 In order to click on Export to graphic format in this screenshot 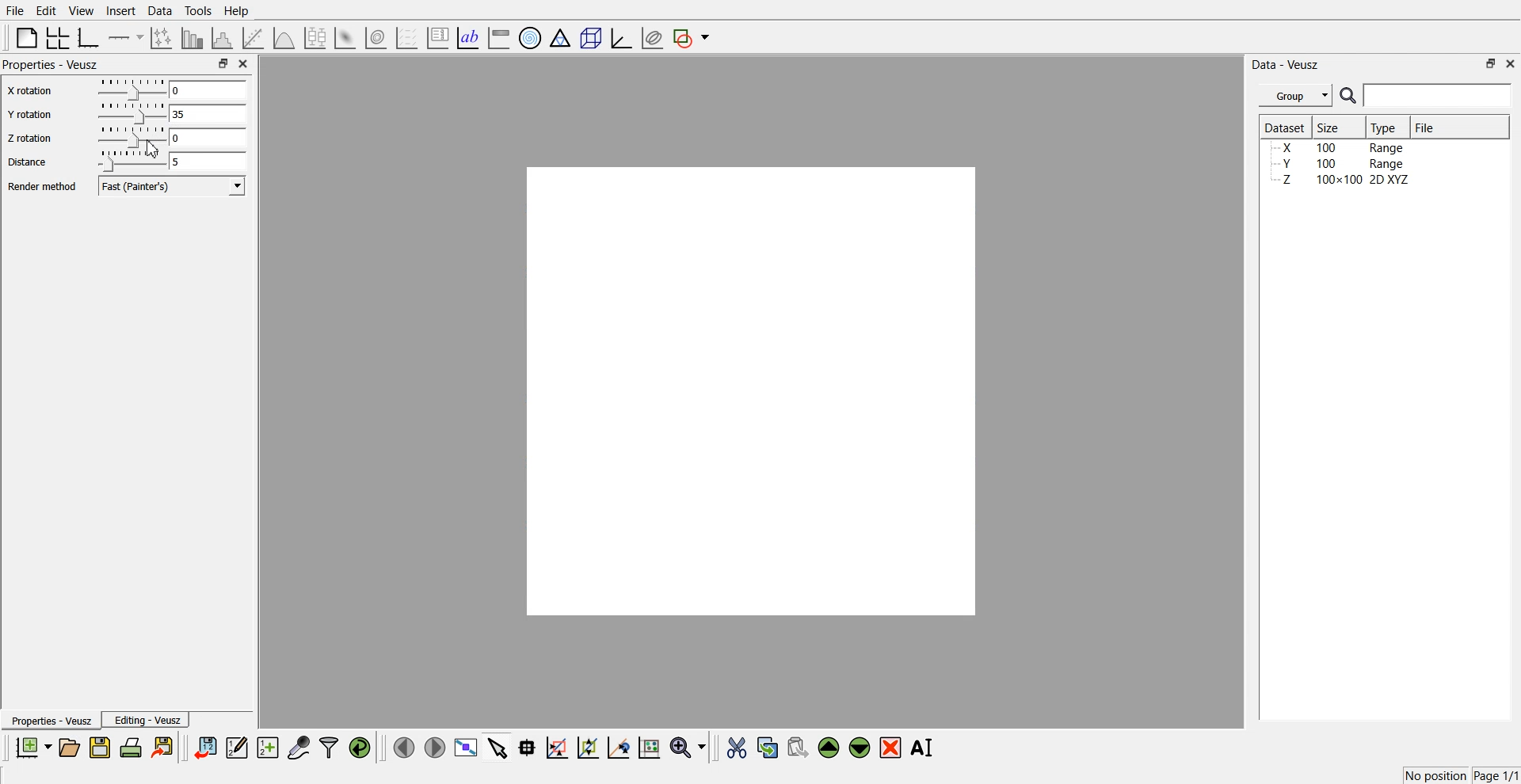, I will do `click(164, 747)`.